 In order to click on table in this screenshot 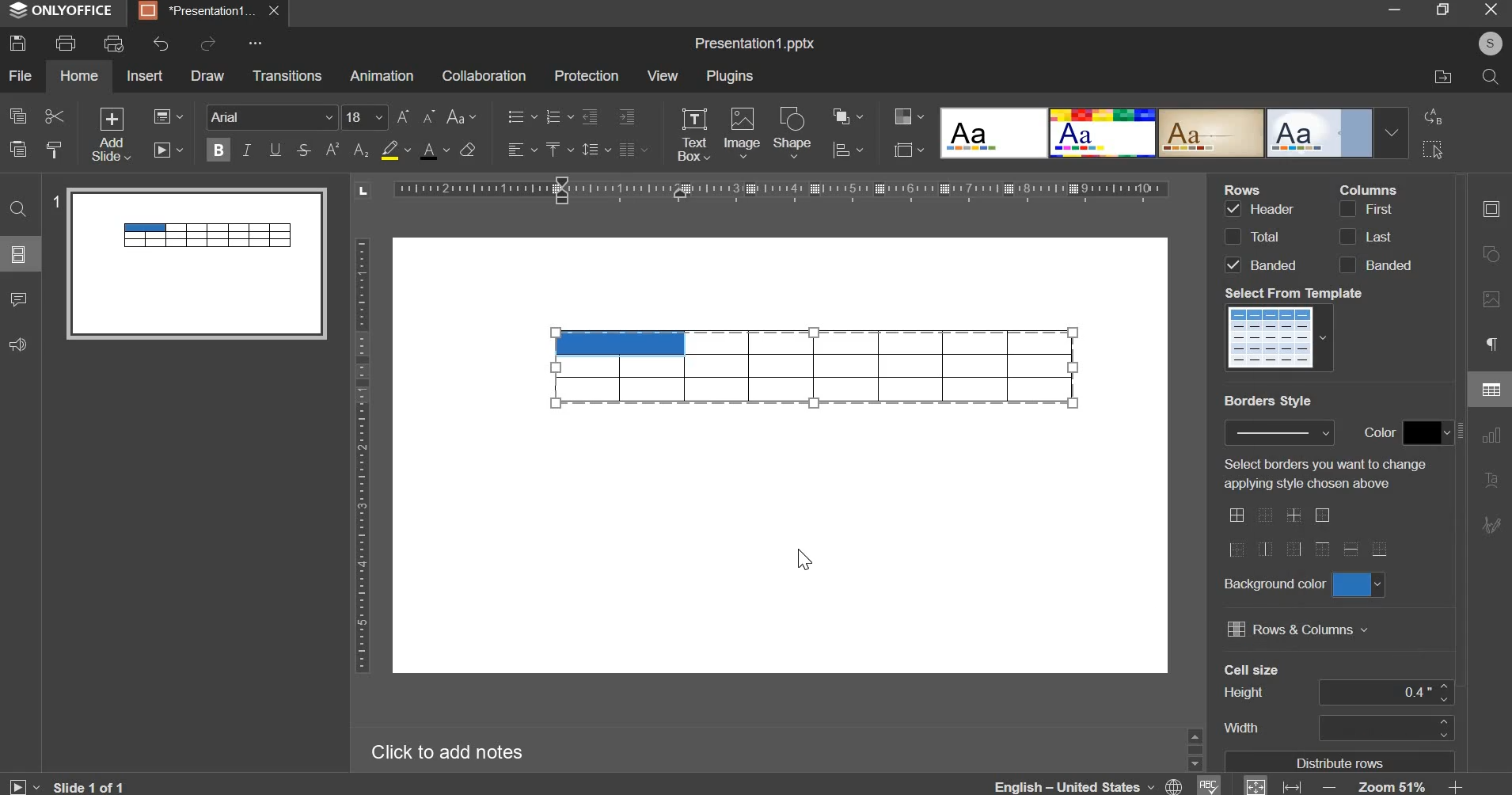, I will do `click(815, 367)`.